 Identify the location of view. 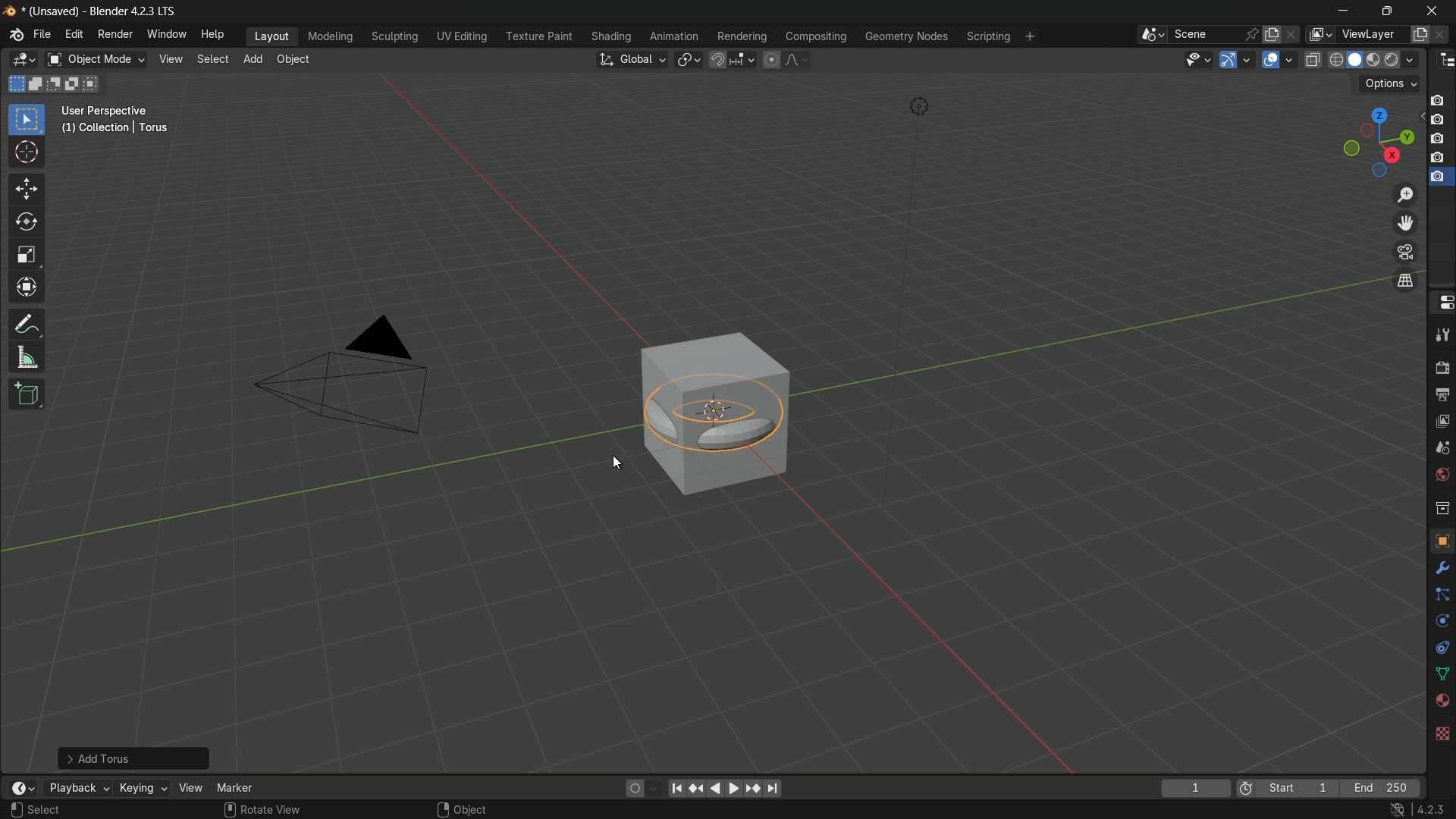
(190, 788).